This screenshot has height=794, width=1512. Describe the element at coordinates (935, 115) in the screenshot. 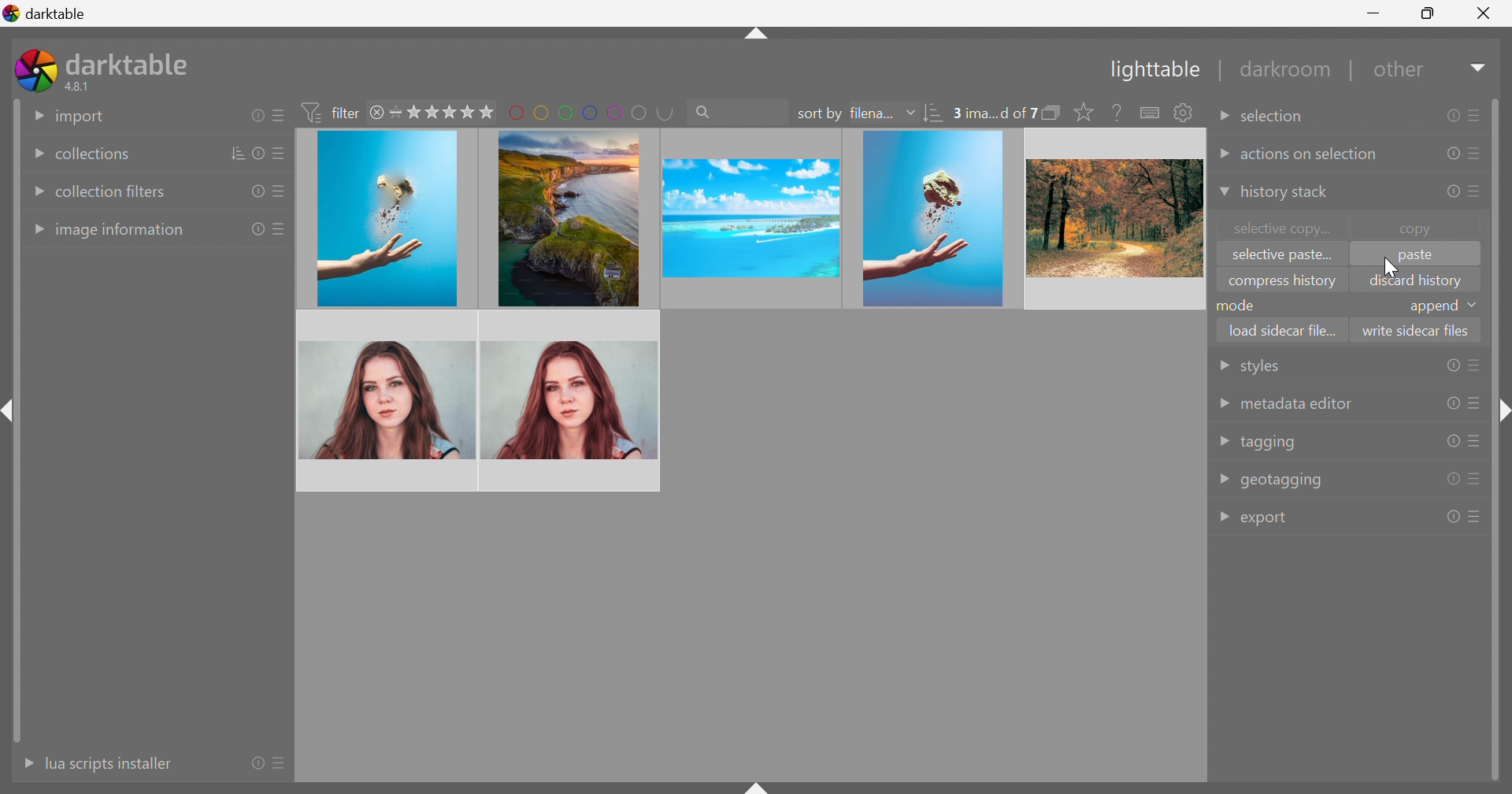

I see `sort` at that location.